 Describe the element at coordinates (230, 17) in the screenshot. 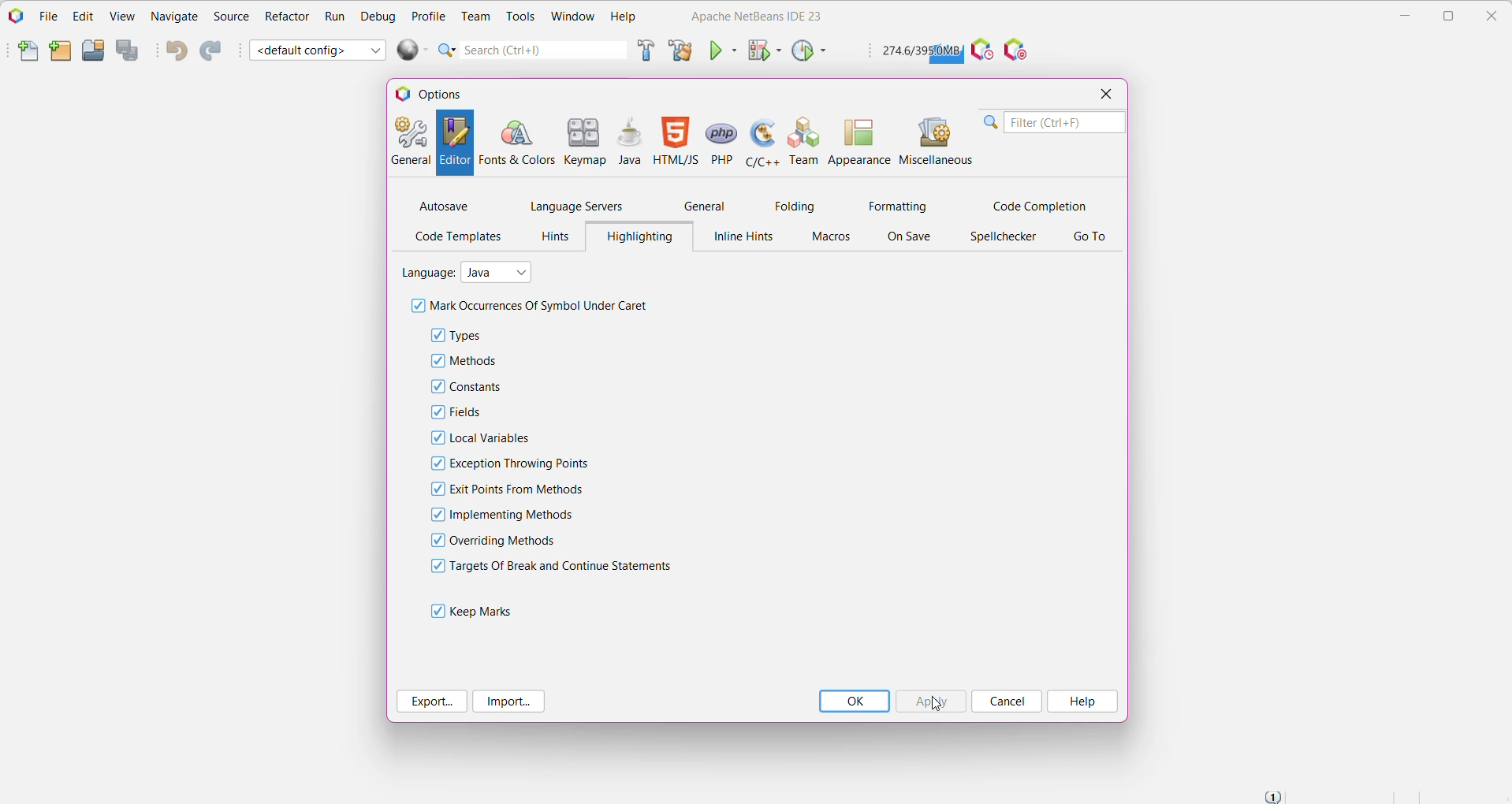

I see `Source` at that location.